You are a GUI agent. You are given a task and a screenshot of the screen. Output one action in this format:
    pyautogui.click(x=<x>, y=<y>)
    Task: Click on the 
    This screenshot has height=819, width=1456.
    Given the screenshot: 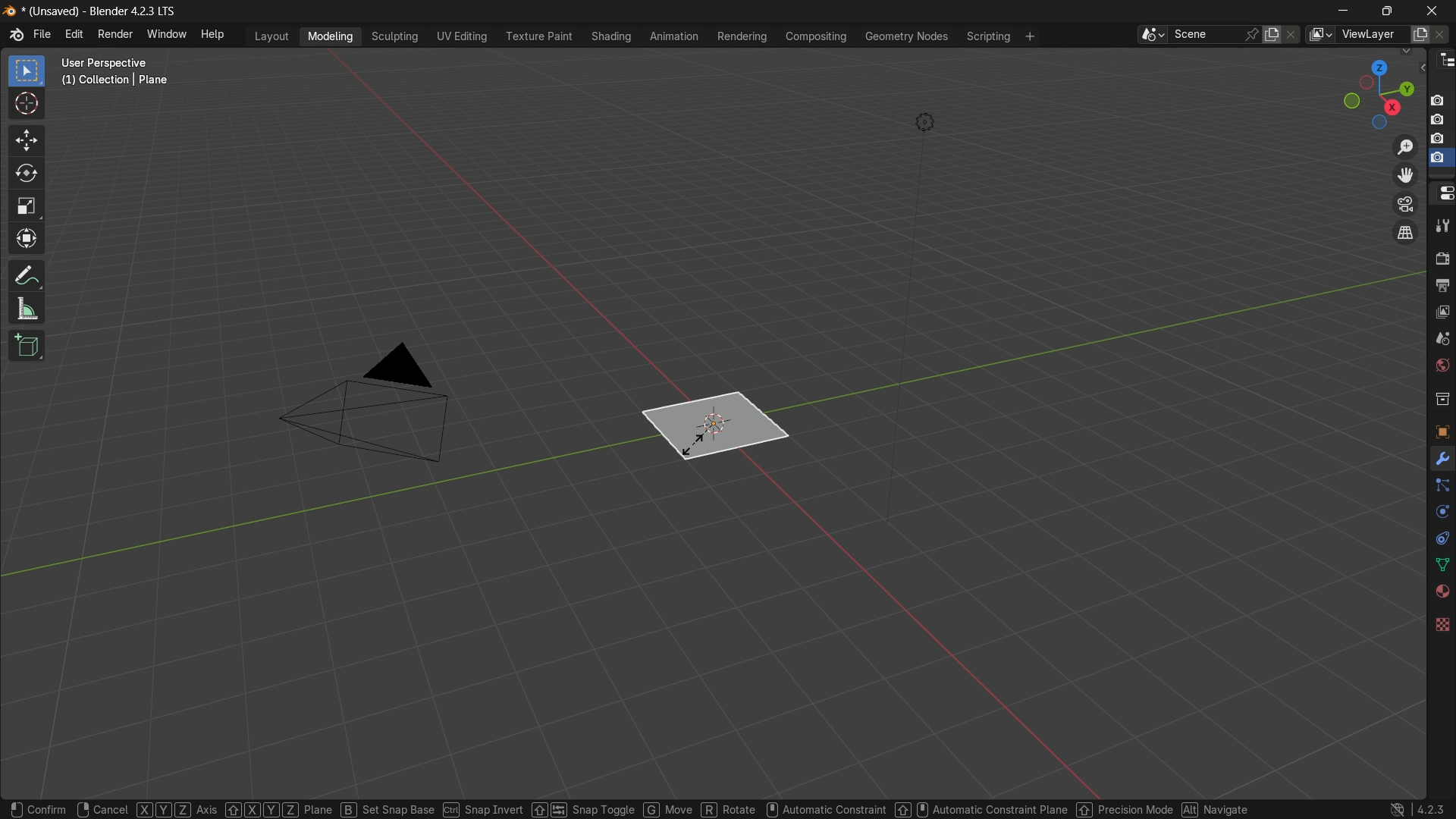 What is the action you would take?
    pyautogui.click(x=1442, y=365)
    